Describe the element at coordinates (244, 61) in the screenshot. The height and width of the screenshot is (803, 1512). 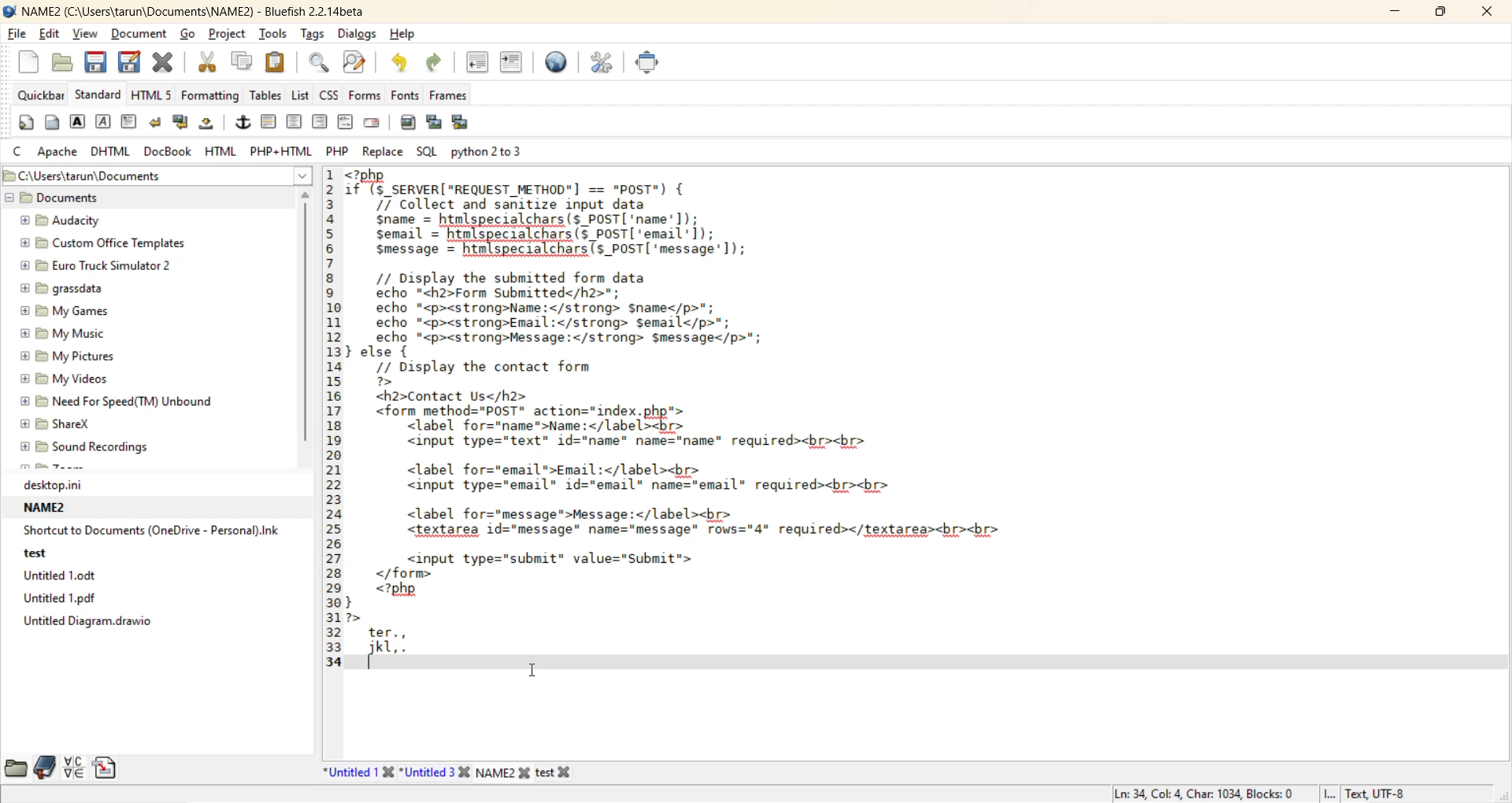
I see `copy` at that location.